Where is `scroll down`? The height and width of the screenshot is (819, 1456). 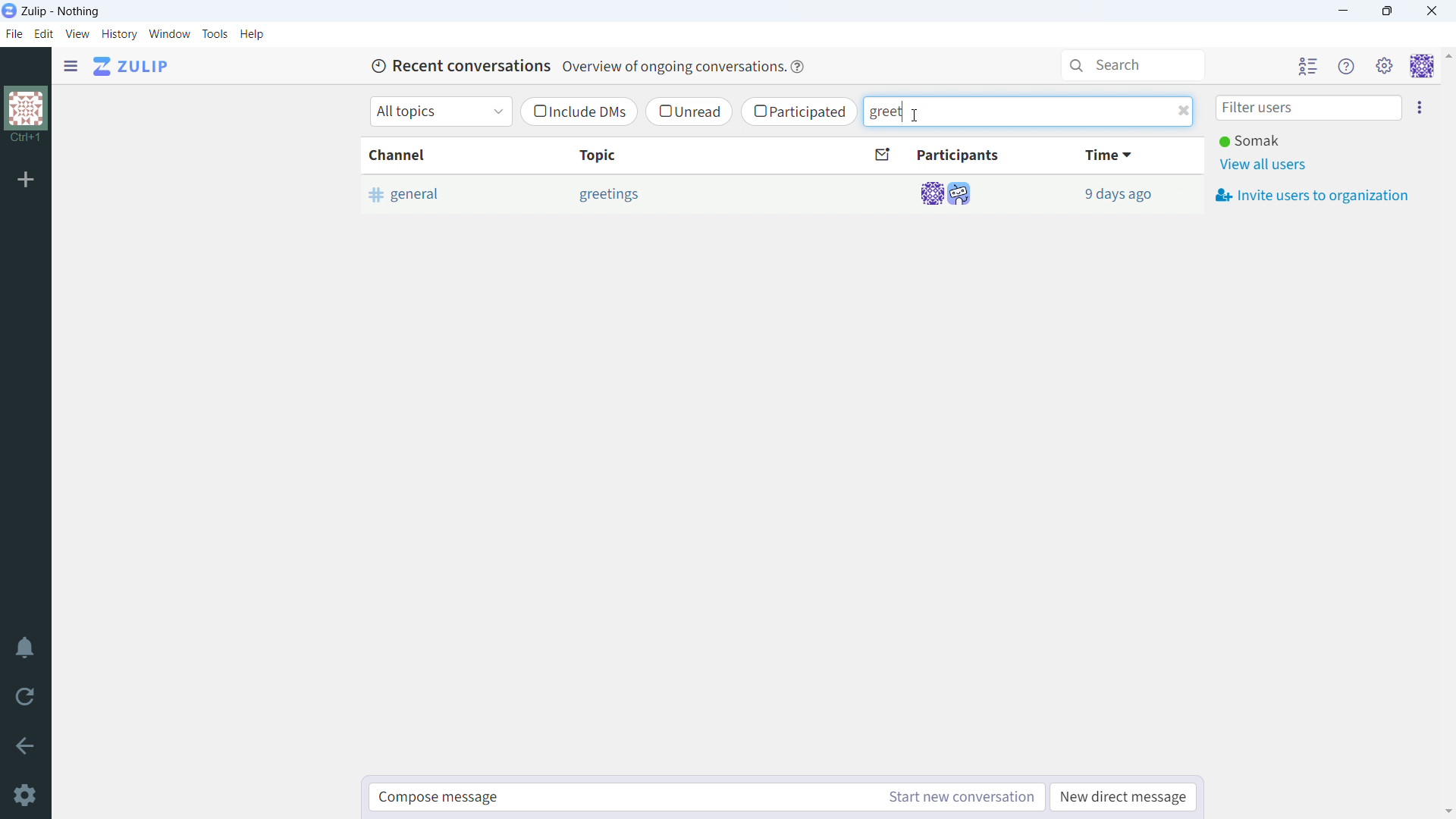
scroll down is located at coordinates (1447, 811).